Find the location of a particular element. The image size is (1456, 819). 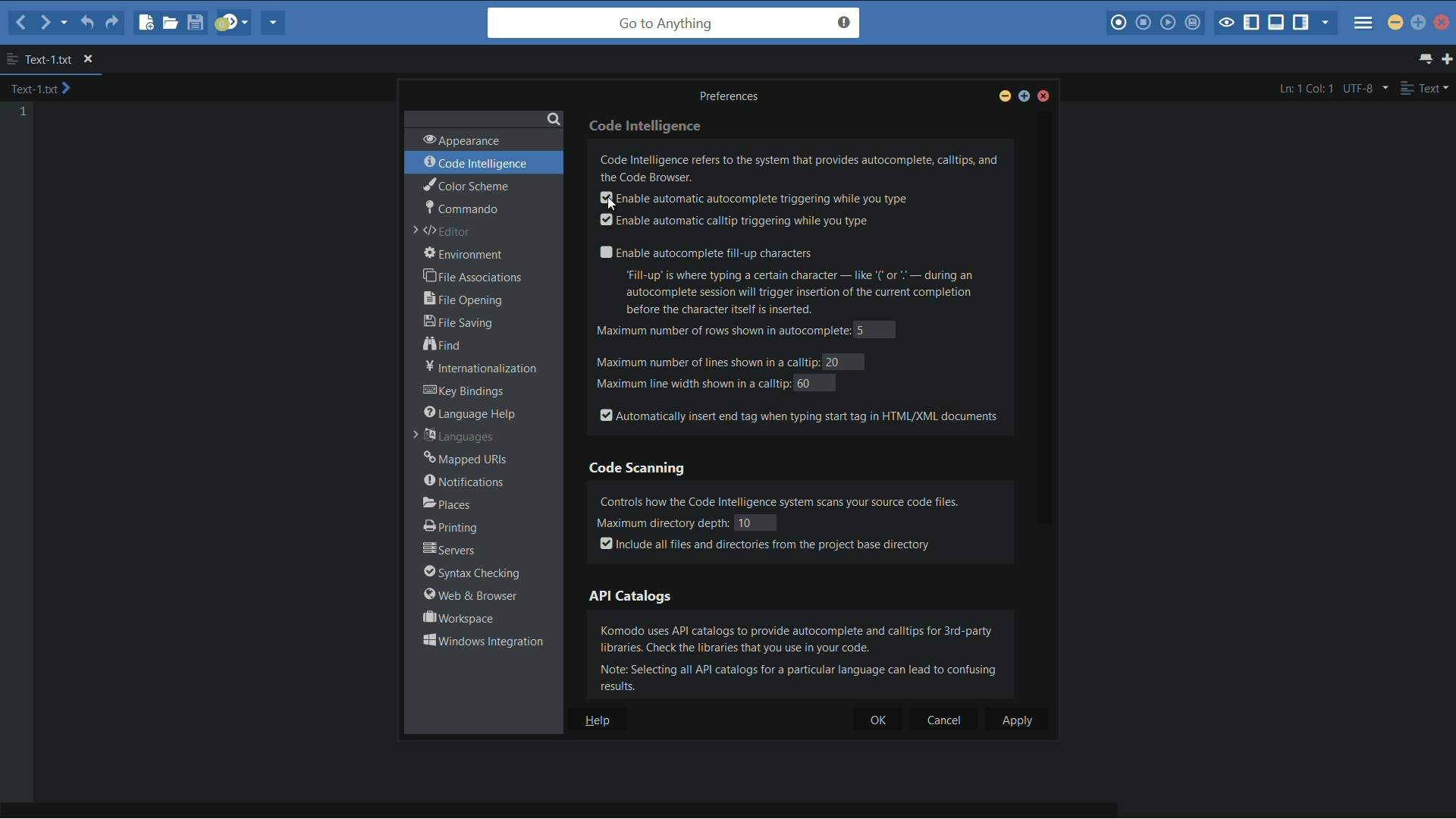

syntax checking is located at coordinates (470, 573).